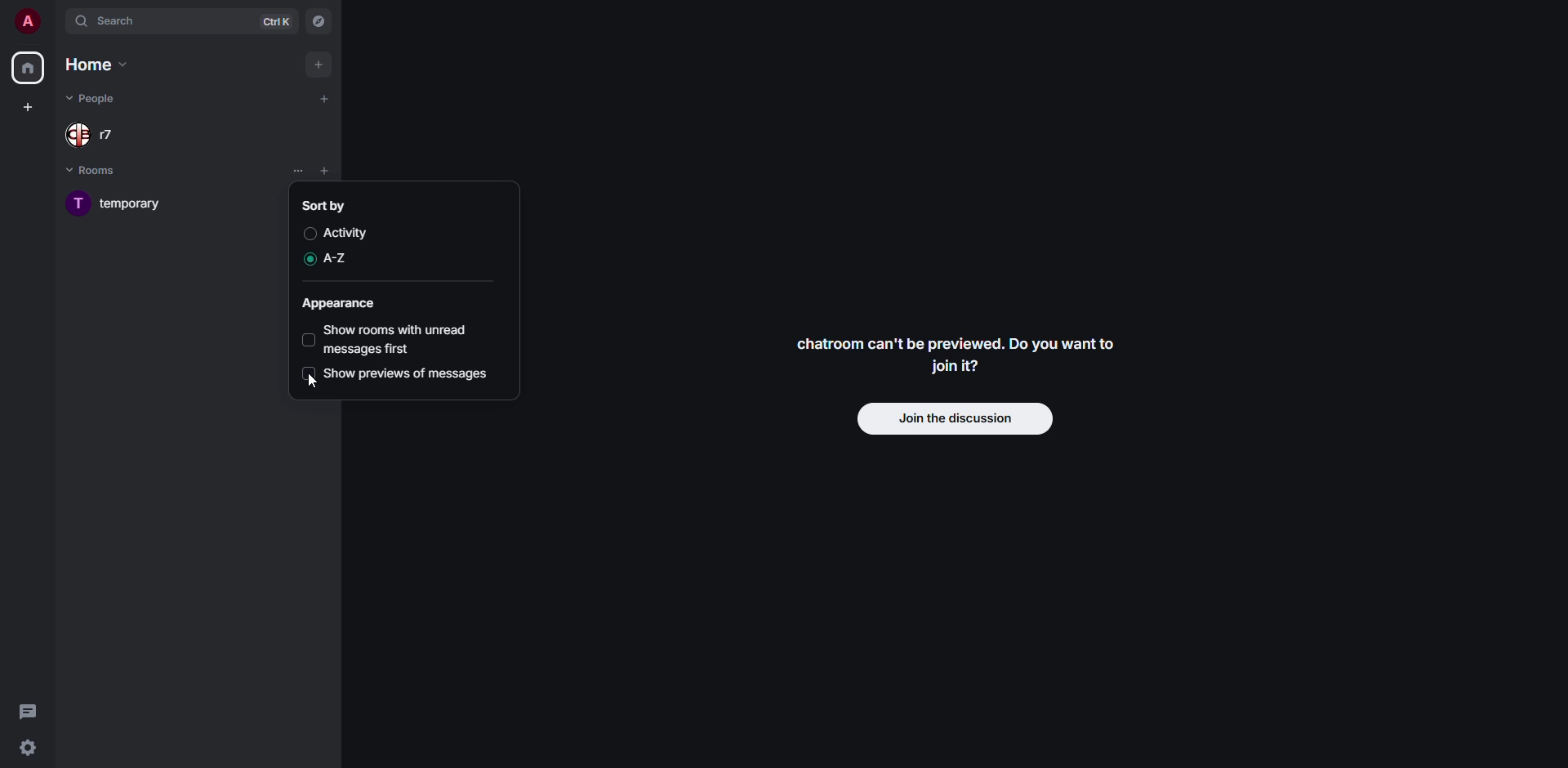 This screenshot has width=1568, height=768. Describe the element at coordinates (90, 136) in the screenshot. I see `people` at that location.